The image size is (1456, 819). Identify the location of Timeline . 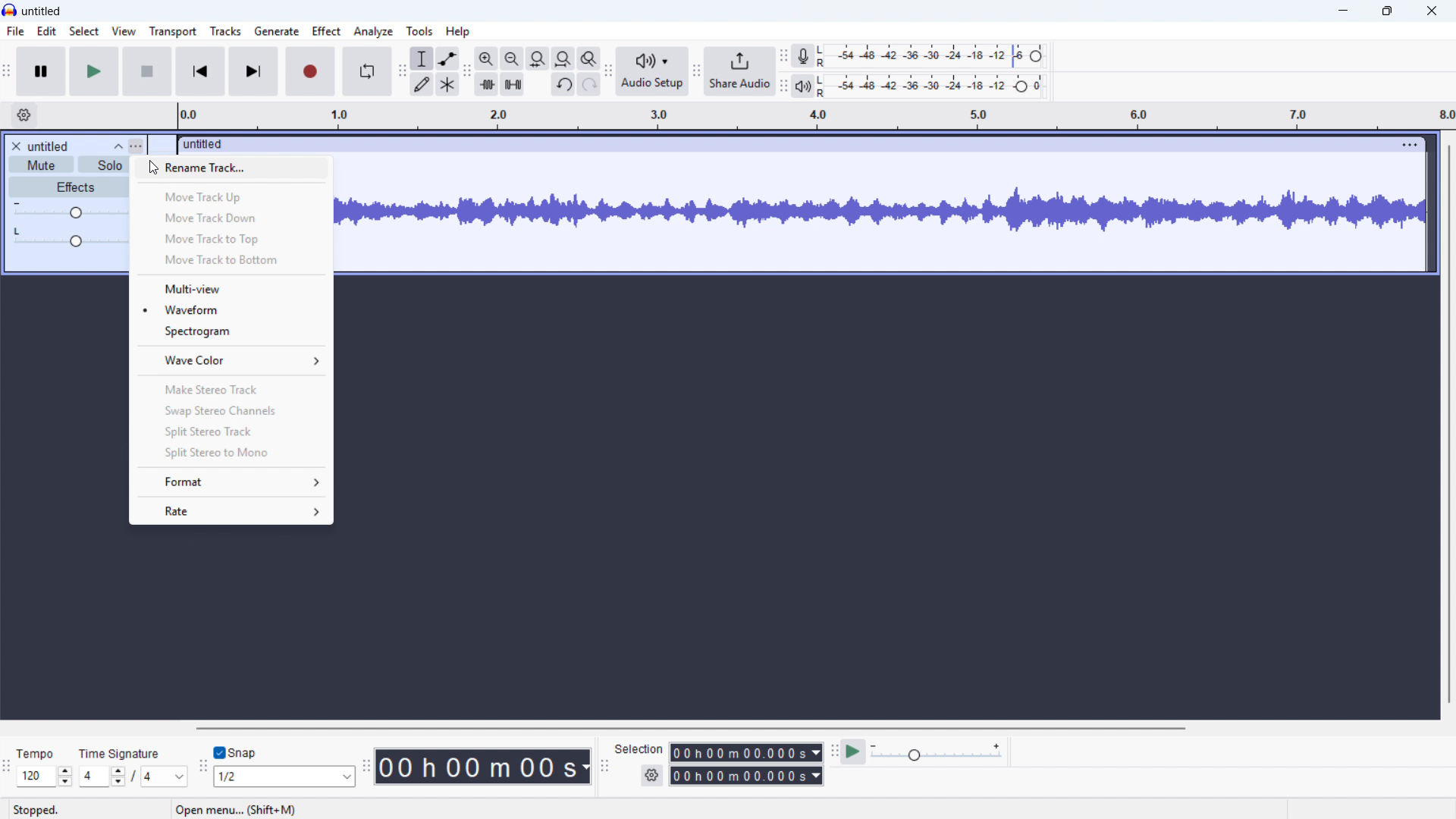
(810, 115).